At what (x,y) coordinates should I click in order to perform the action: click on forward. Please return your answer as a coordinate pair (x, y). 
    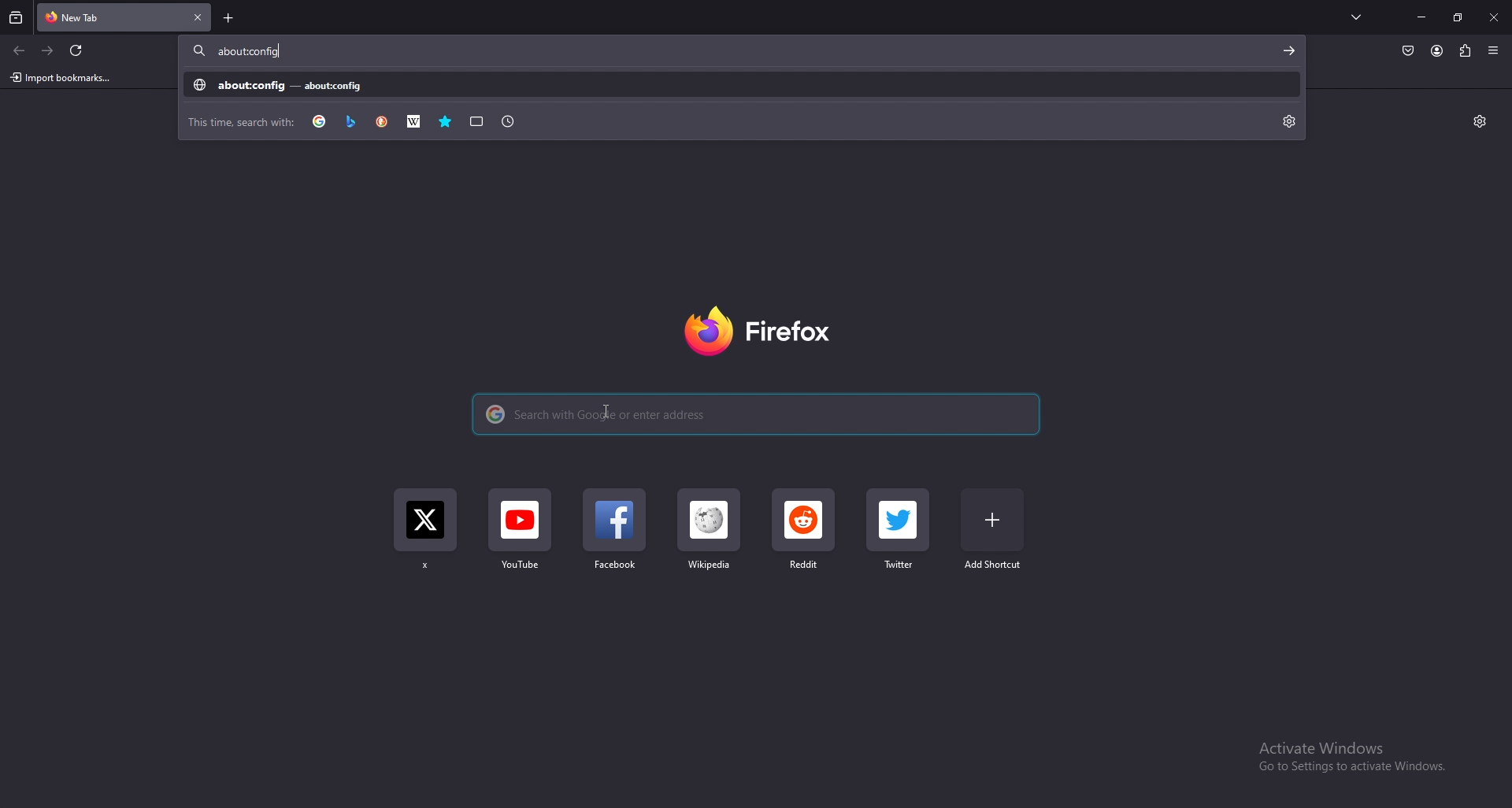
    Looking at the image, I should click on (48, 50).